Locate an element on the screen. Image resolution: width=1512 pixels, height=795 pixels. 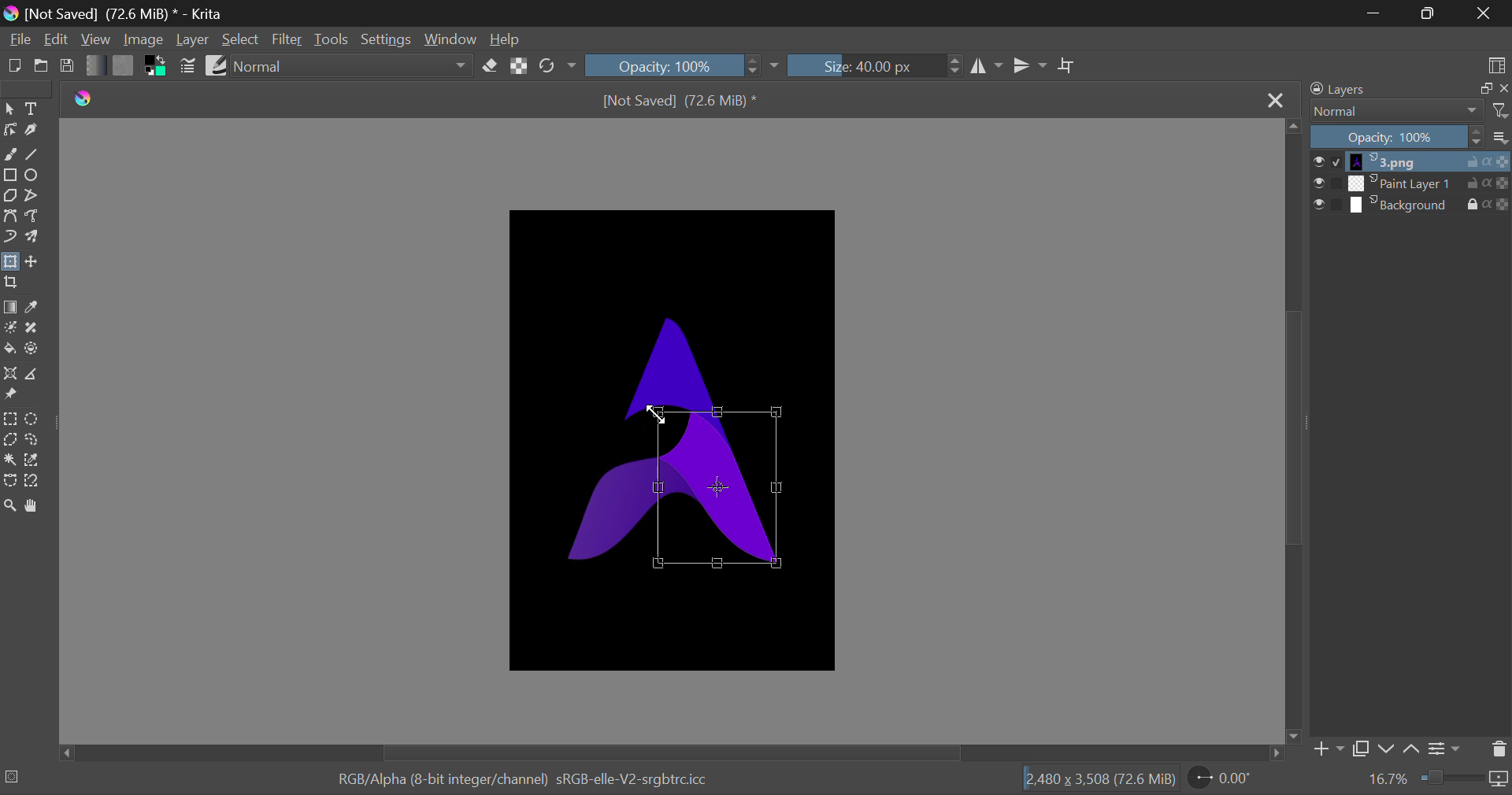
Crop is located at coordinates (1069, 67).